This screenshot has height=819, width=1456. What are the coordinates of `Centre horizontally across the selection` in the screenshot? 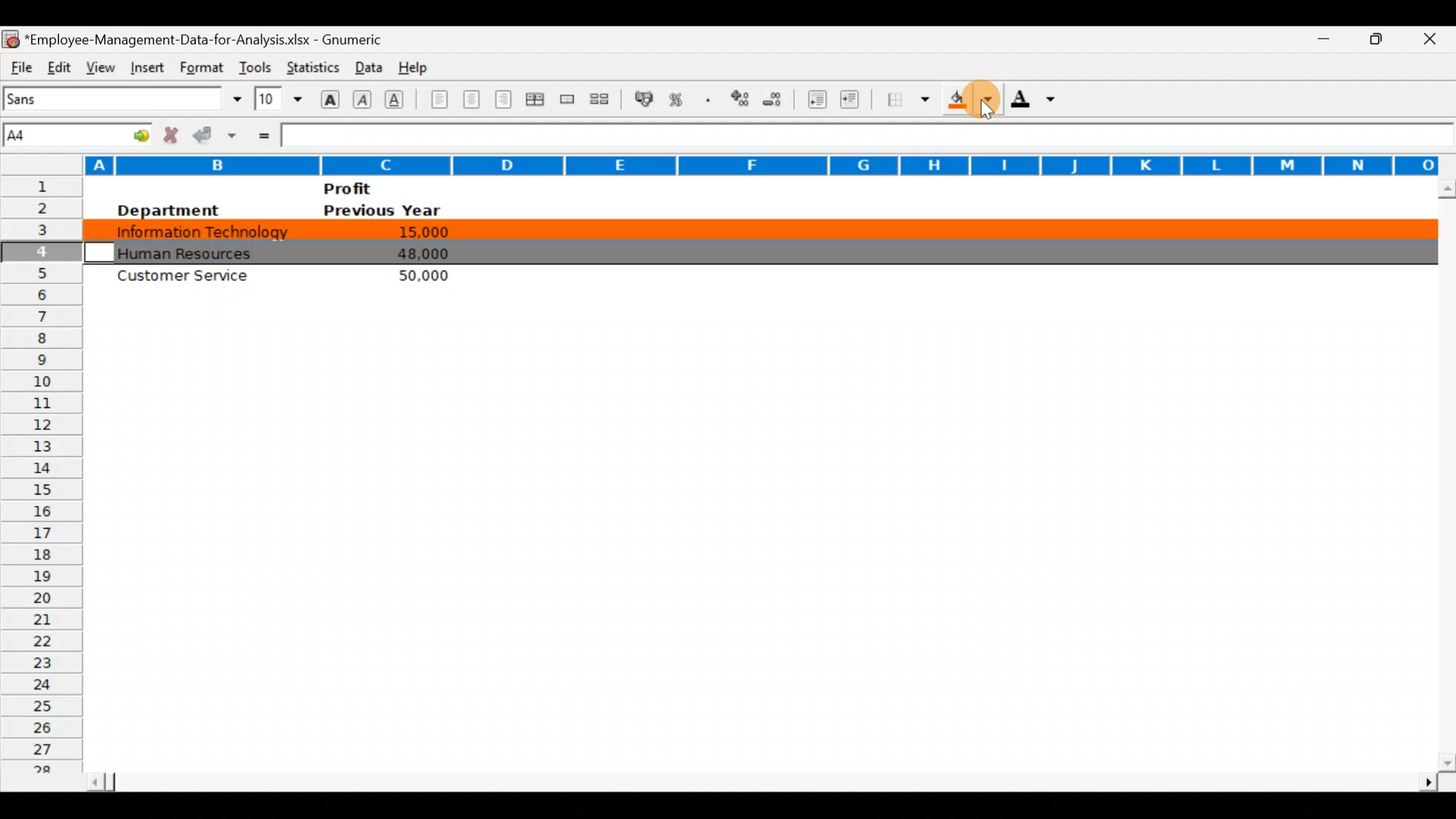 It's located at (538, 102).